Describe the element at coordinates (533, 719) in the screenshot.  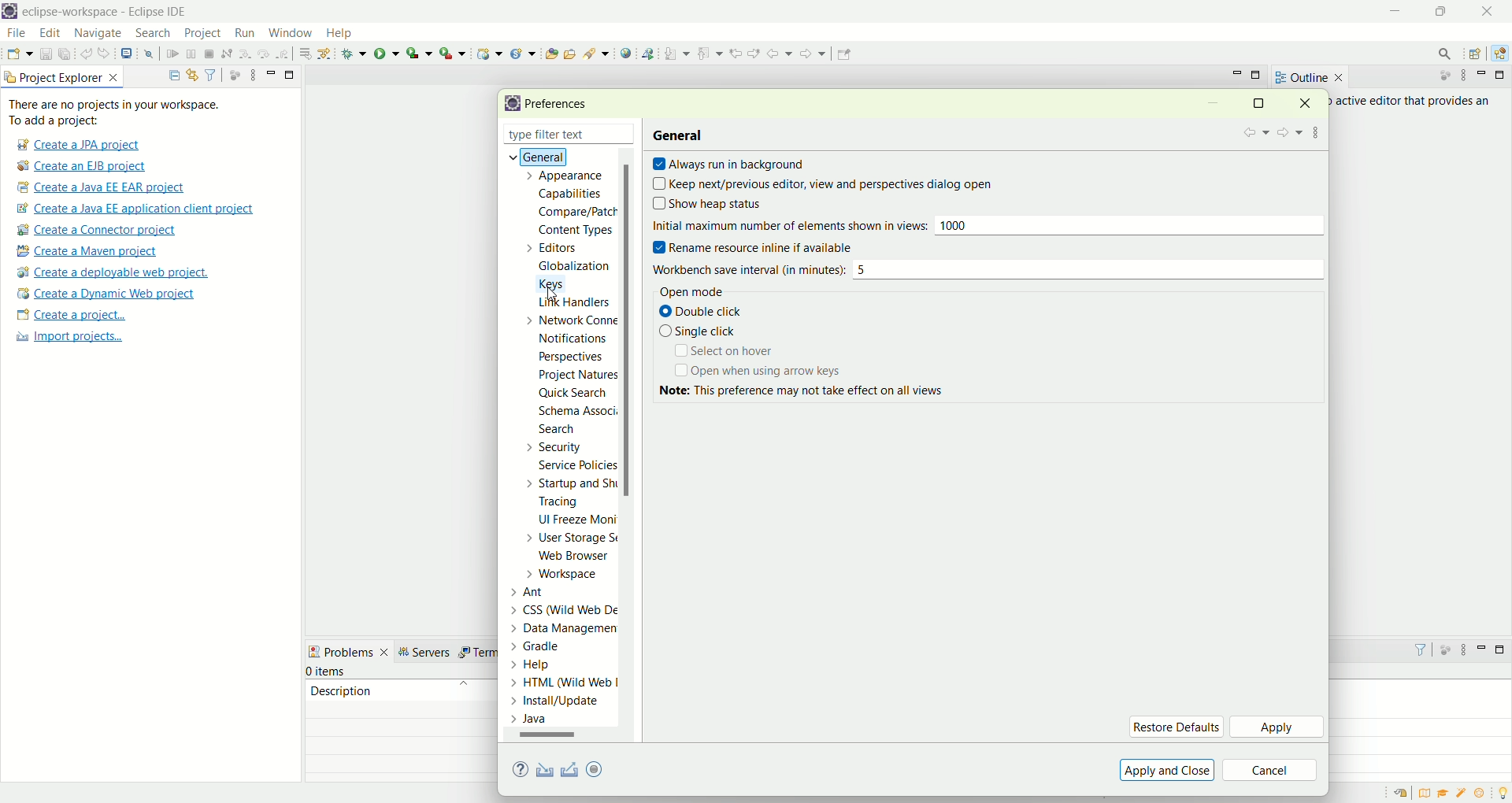
I see `Java` at that location.